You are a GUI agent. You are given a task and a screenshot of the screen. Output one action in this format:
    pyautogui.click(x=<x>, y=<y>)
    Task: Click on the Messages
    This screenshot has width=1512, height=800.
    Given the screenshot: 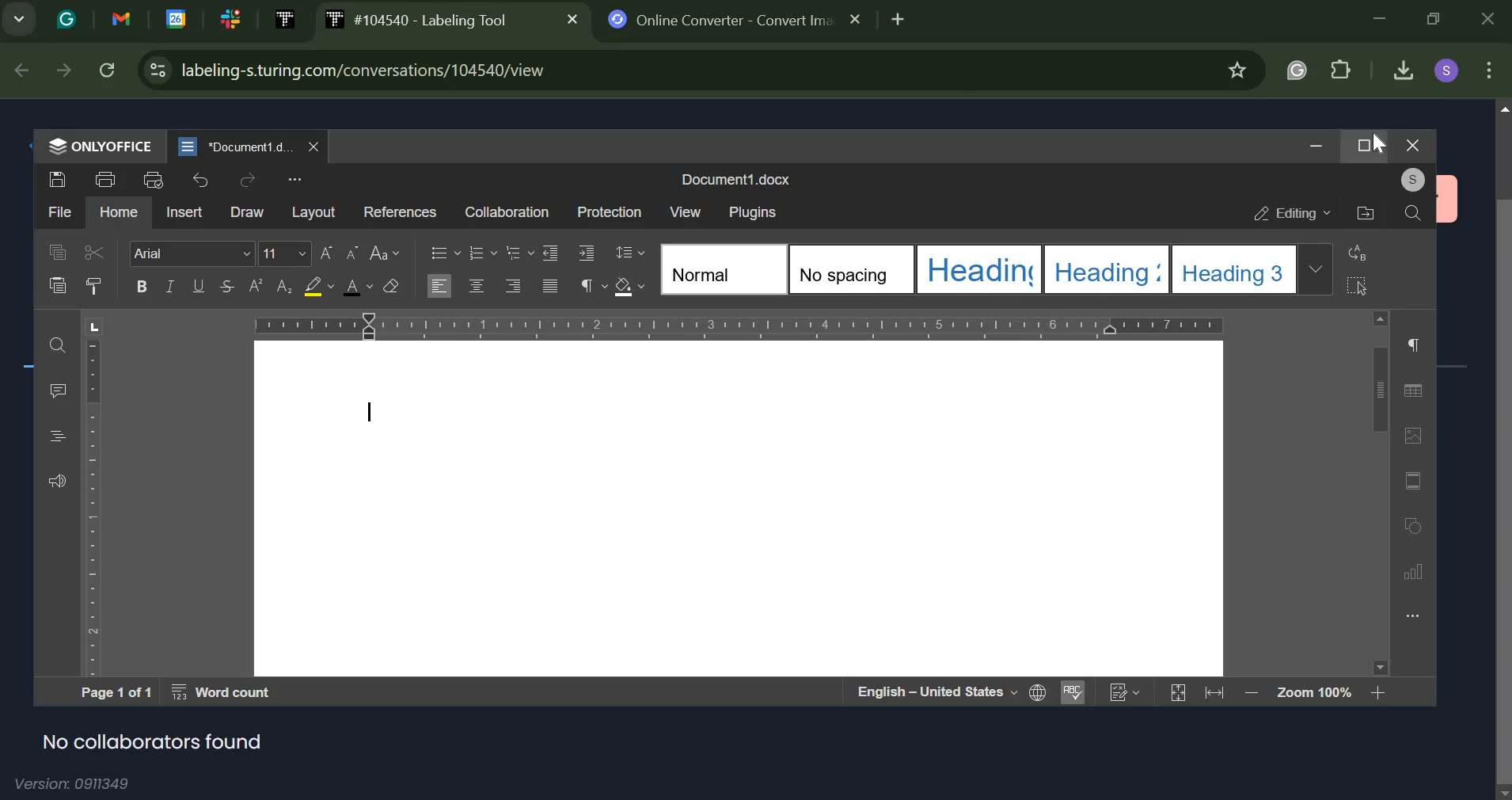 What is the action you would take?
    pyautogui.click(x=58, y=390)
    